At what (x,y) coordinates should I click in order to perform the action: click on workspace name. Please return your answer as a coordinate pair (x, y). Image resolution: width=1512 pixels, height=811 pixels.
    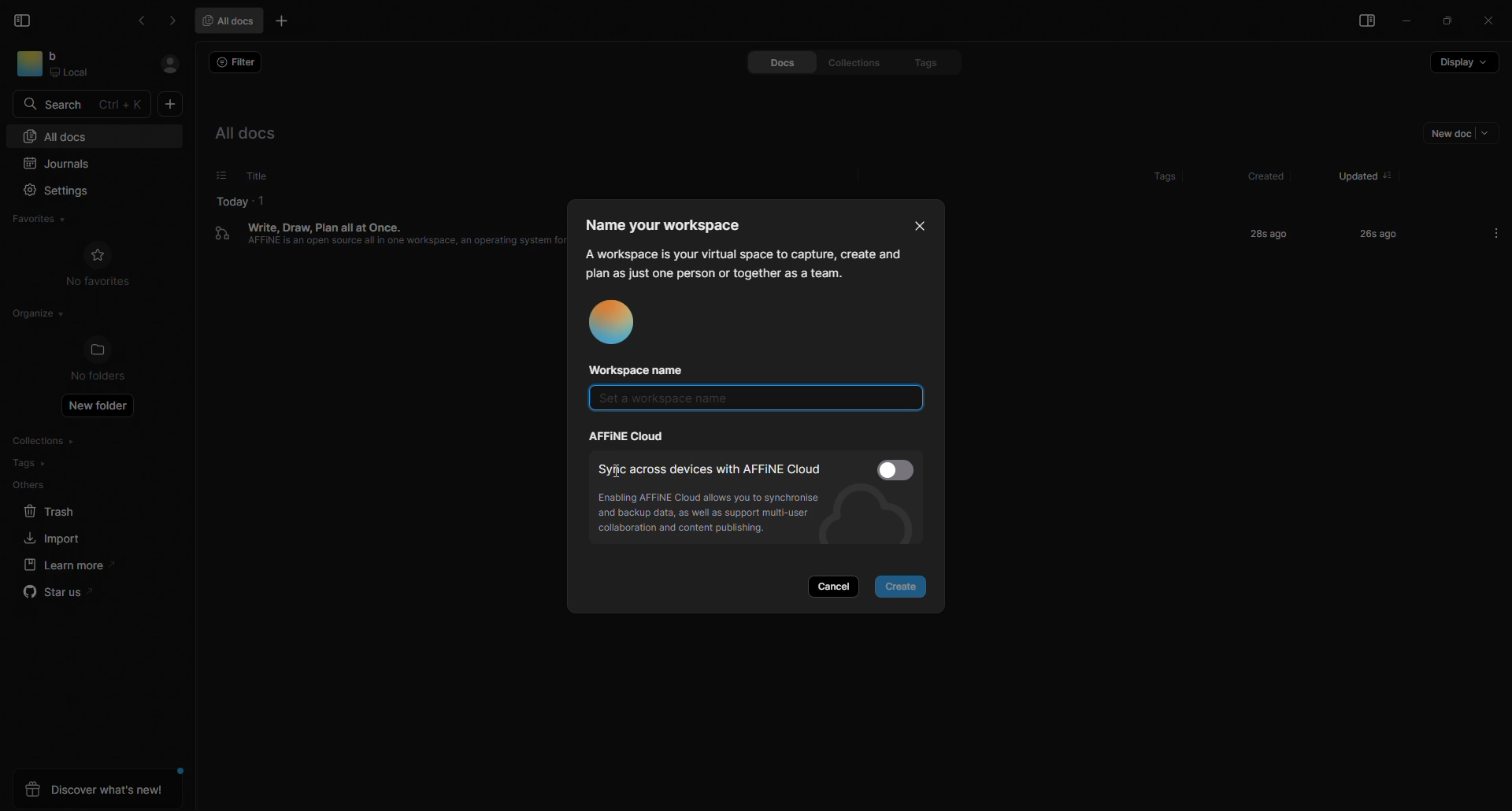
    Looking at the image, I should click on (644, 370).